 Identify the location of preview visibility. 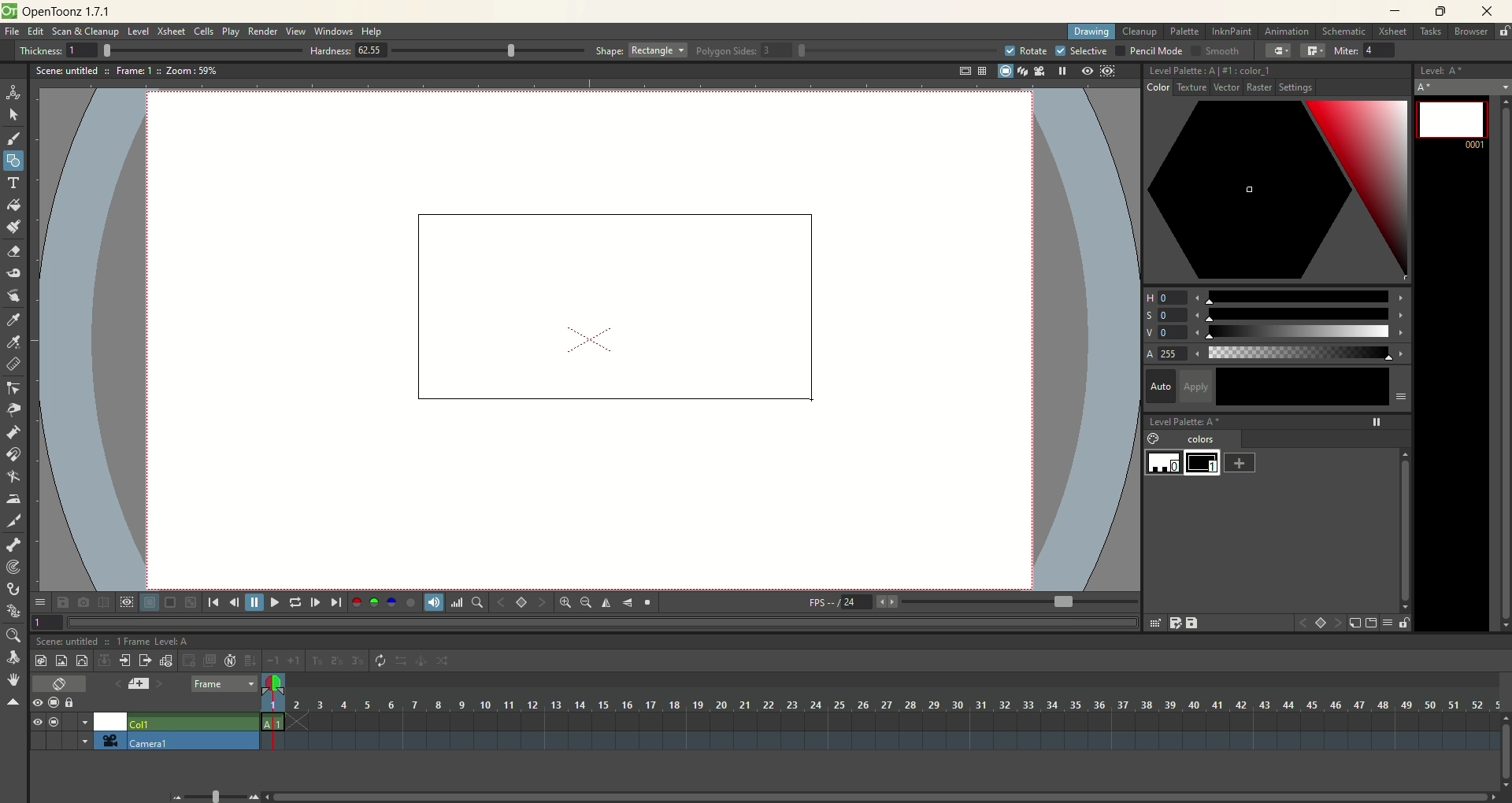
(37, 704).